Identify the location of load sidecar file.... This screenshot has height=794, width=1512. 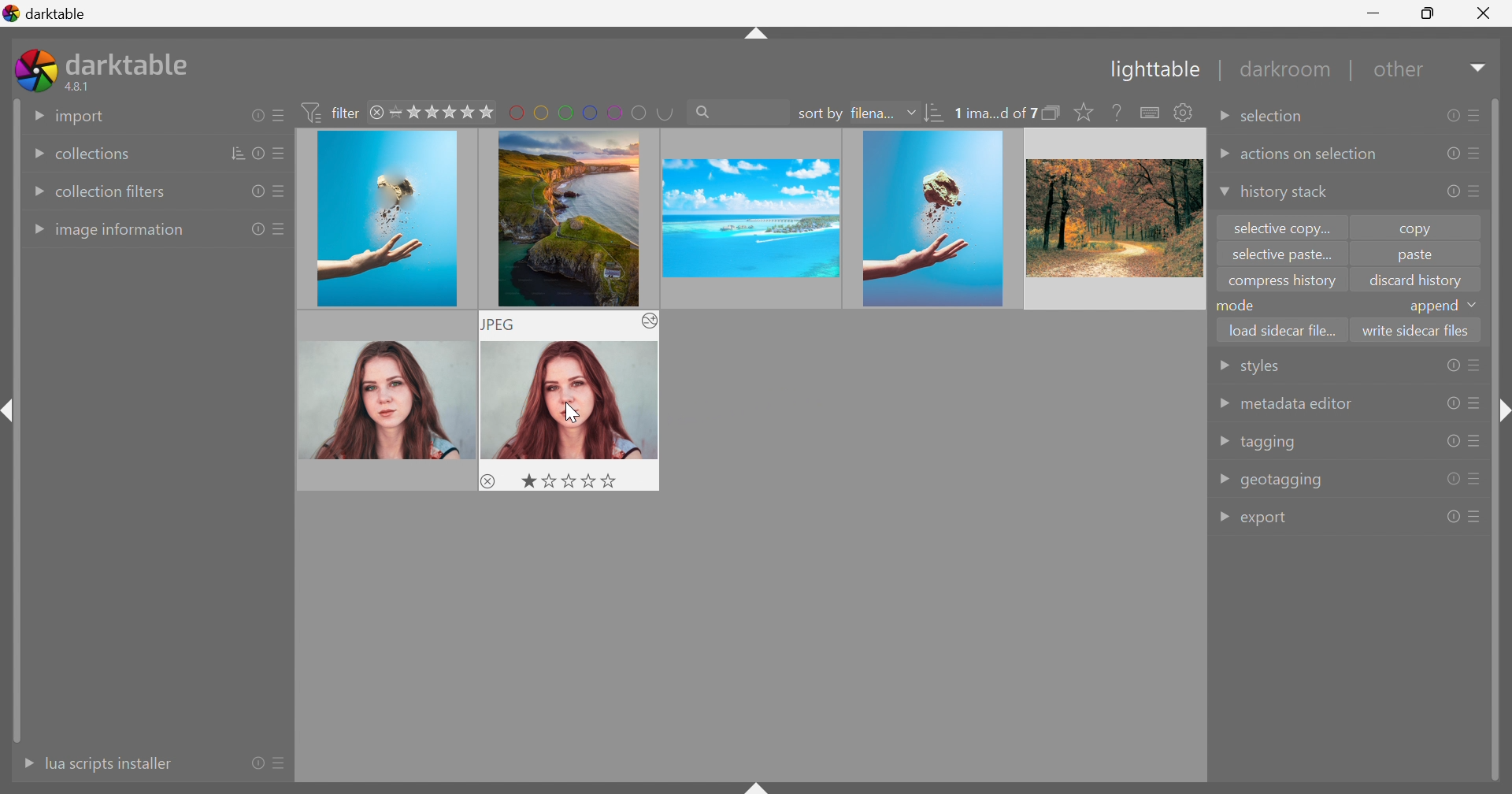
(1284, 328).